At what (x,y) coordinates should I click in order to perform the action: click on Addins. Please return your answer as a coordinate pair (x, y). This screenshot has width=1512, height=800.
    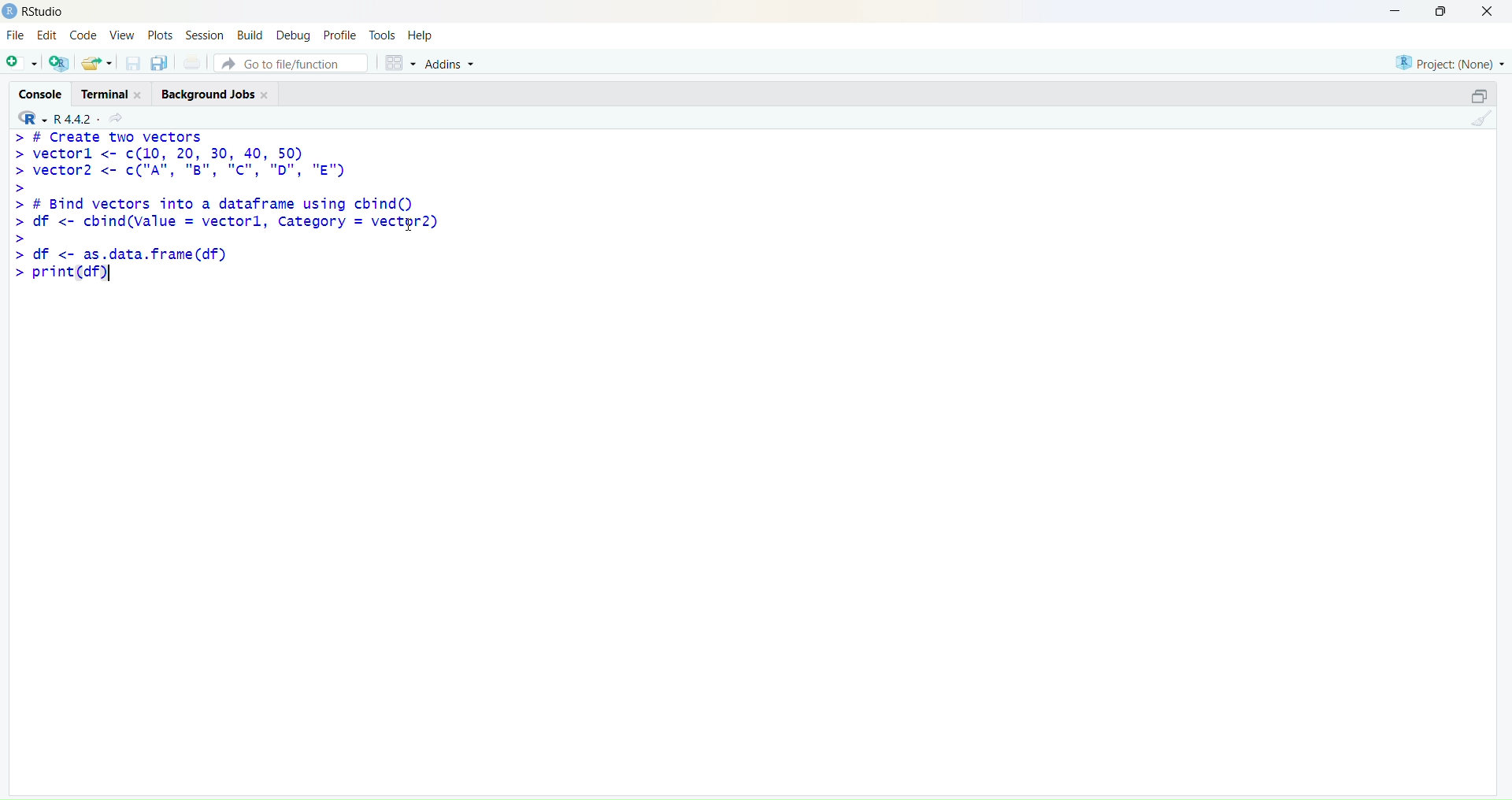
    Looking at the image, I should click on (449, 64).